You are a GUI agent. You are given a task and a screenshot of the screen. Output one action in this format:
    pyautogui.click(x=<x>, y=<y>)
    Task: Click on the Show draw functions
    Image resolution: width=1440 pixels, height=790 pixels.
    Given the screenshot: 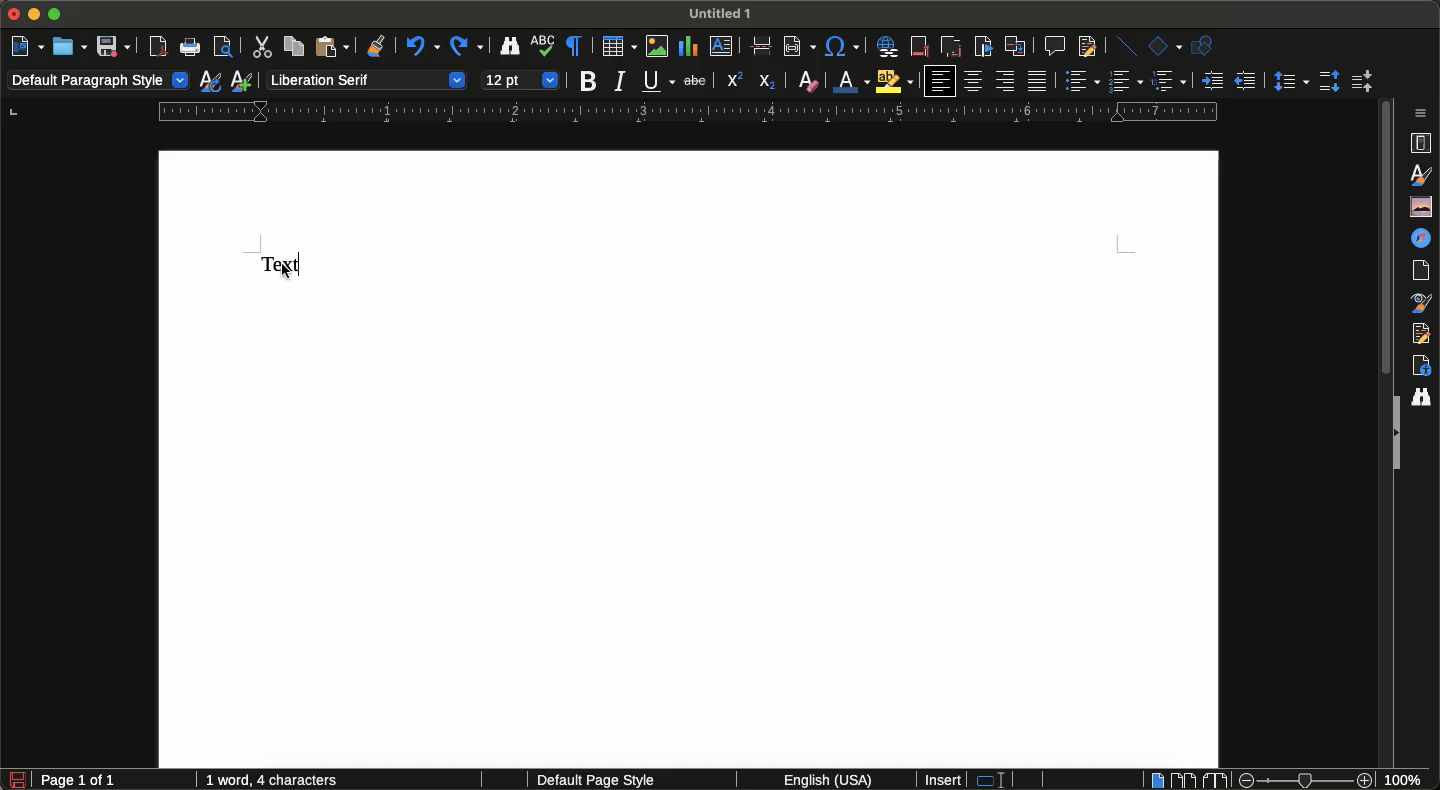 What is the action you would take?
    pyautogui.click(x=1204, y=46)
    